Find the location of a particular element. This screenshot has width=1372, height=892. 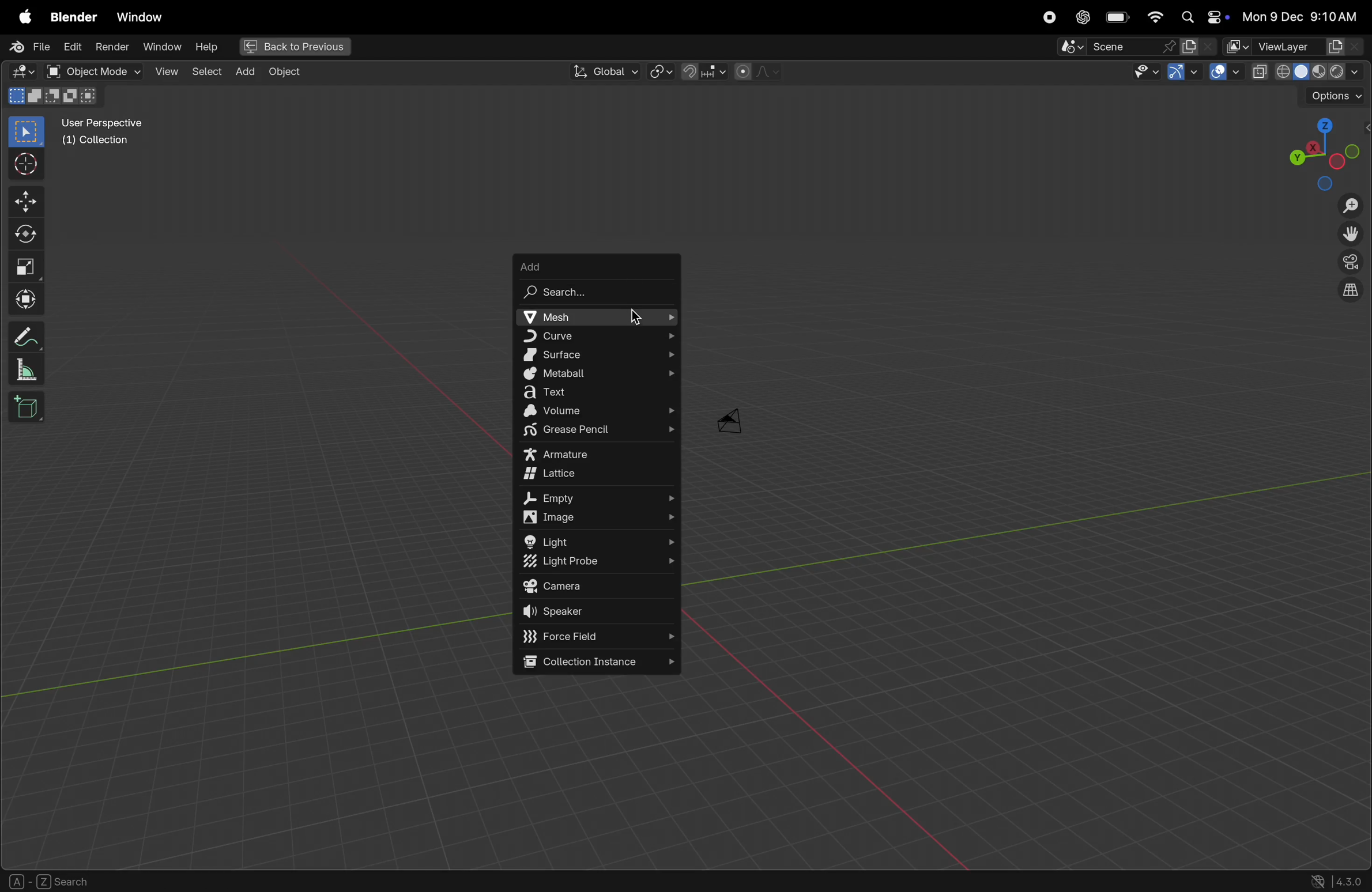

light is located at coordinates (599, 541).